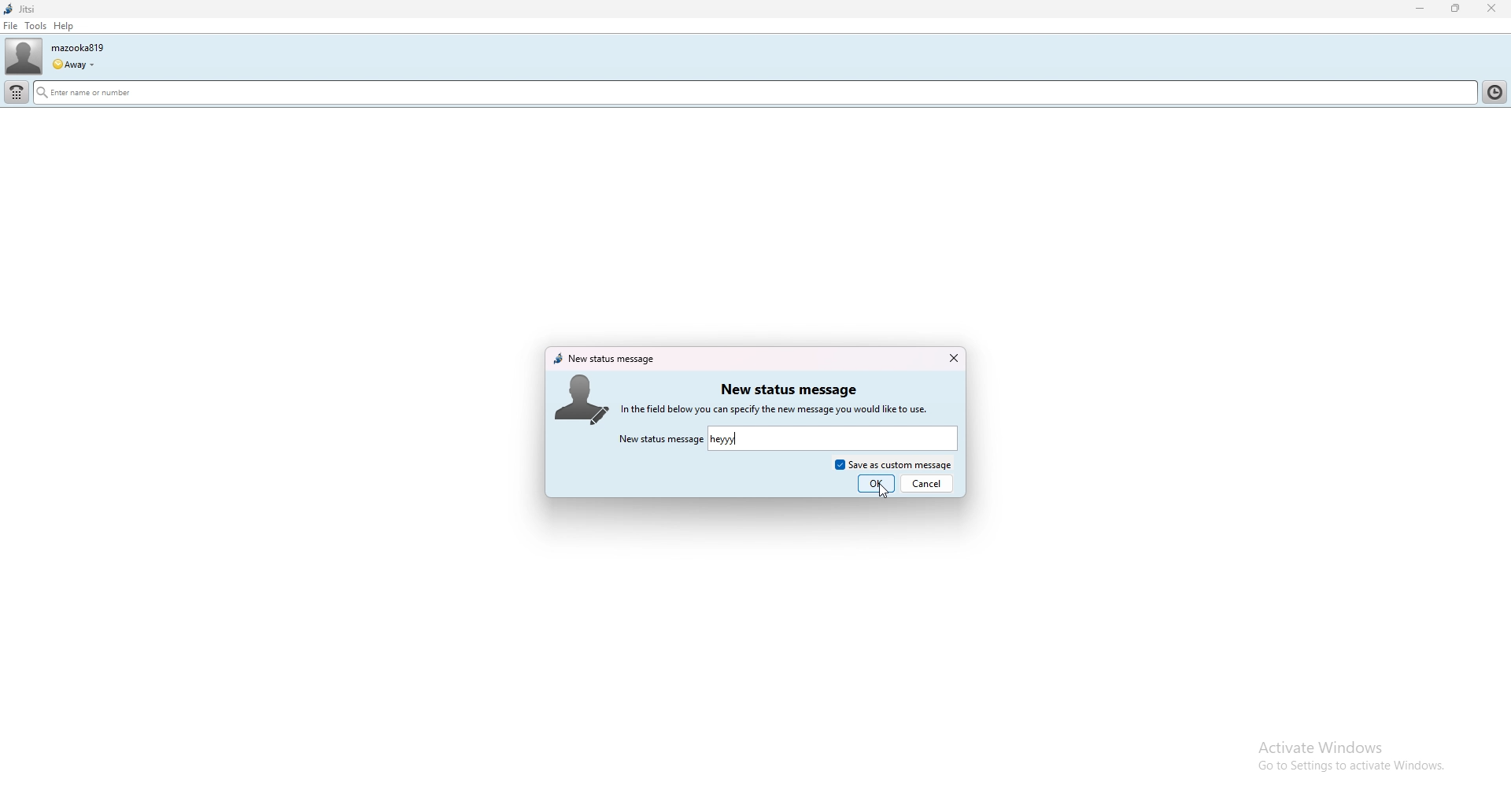 The height and width of the screenshot is (812, 1511). What do you see at coordinates (952, 358) in the screenshot?
I see `close` at bounding box center [952, 358].